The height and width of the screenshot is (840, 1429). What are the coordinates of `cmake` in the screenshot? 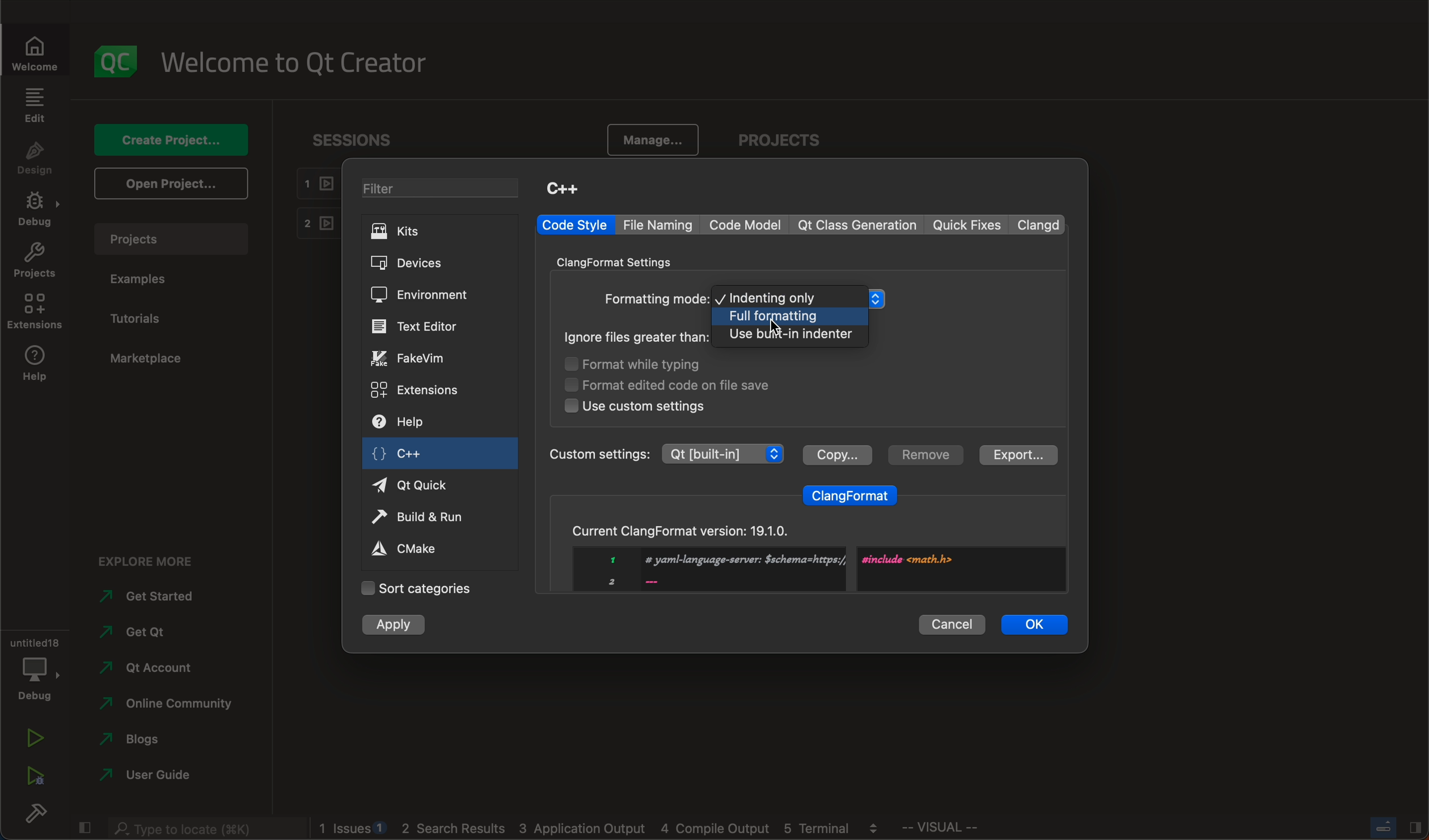 It's located at (417, 548).